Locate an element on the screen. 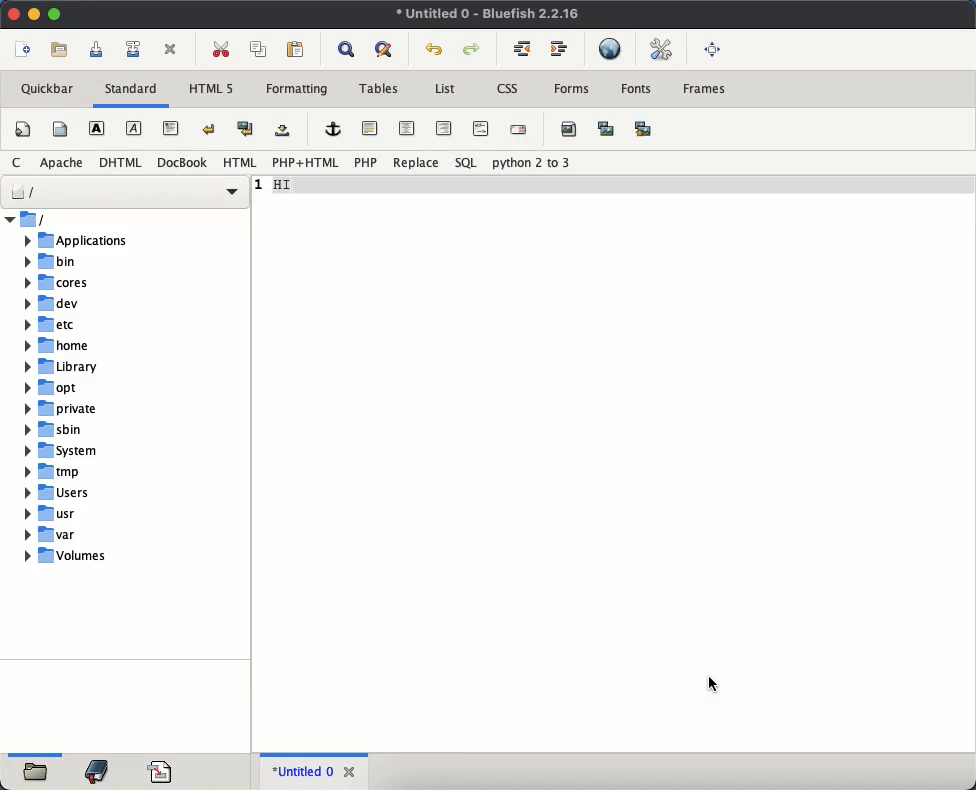  body is located at coordinates (62, 128).